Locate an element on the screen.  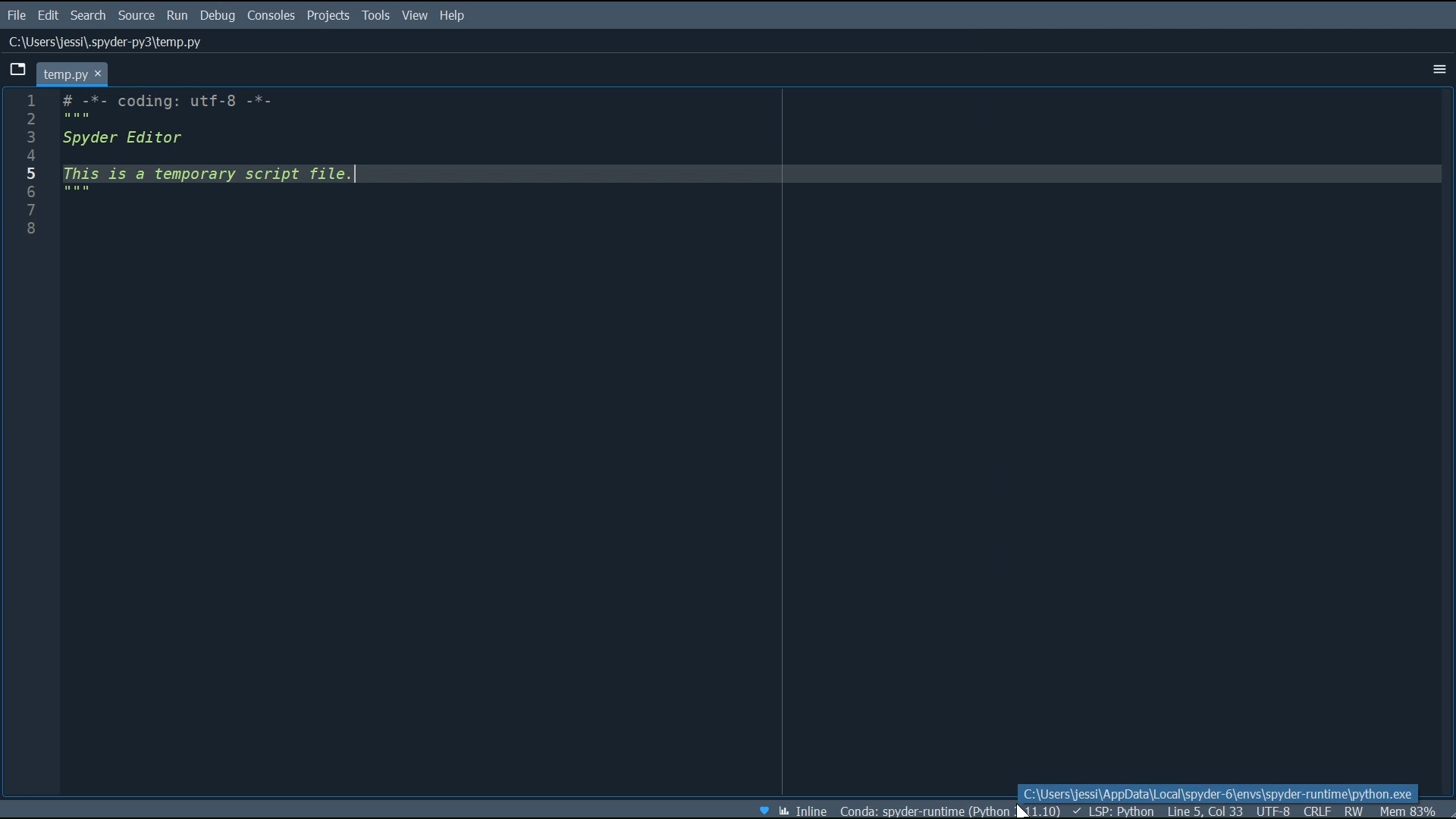
# -*- coding: utf-8 -*- """ Spyder Editor  This is a temporary script file. """ is located at coordinates (754, 434).